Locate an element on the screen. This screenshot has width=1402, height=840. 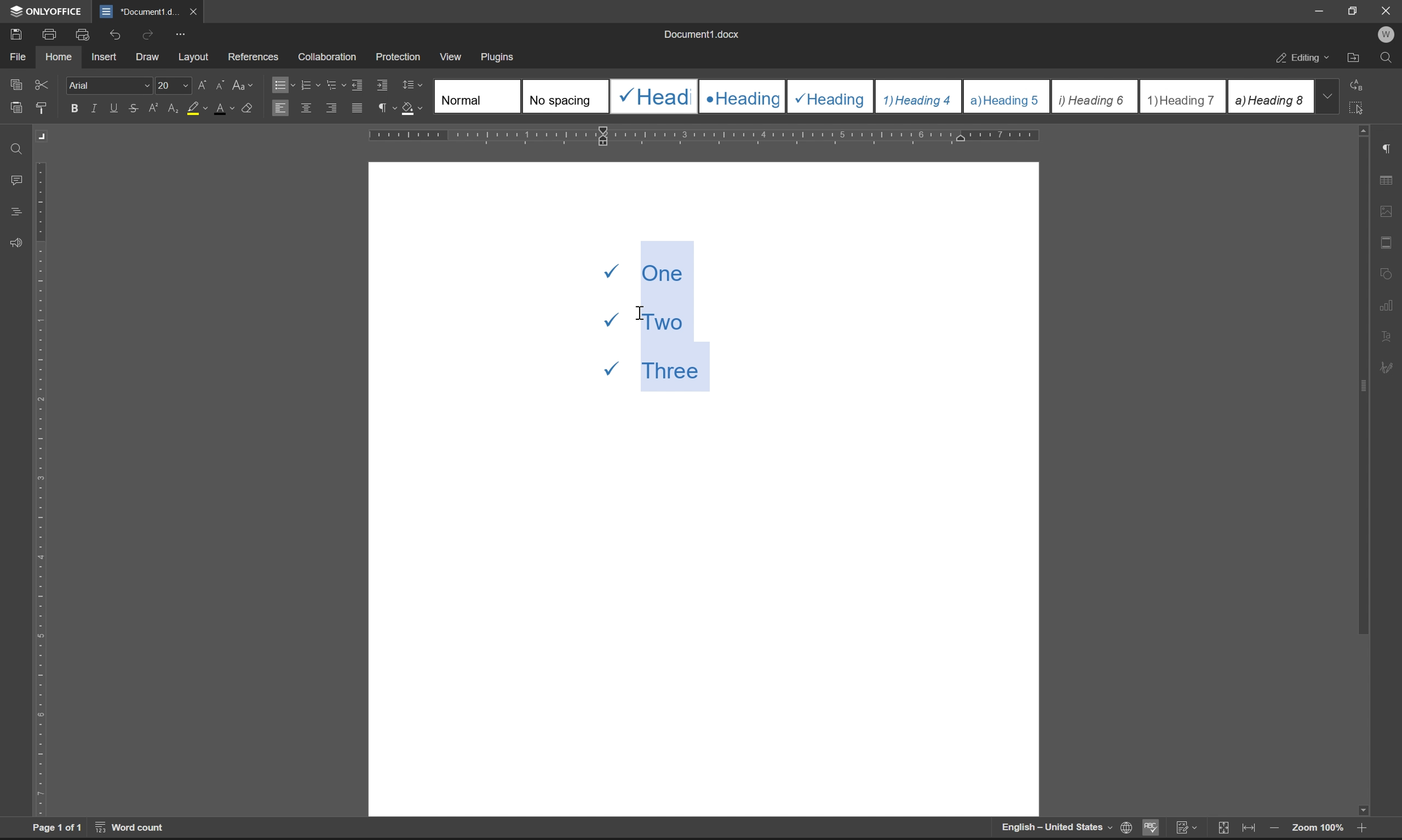
paragraph settings is located at coordinates (1386, 149).